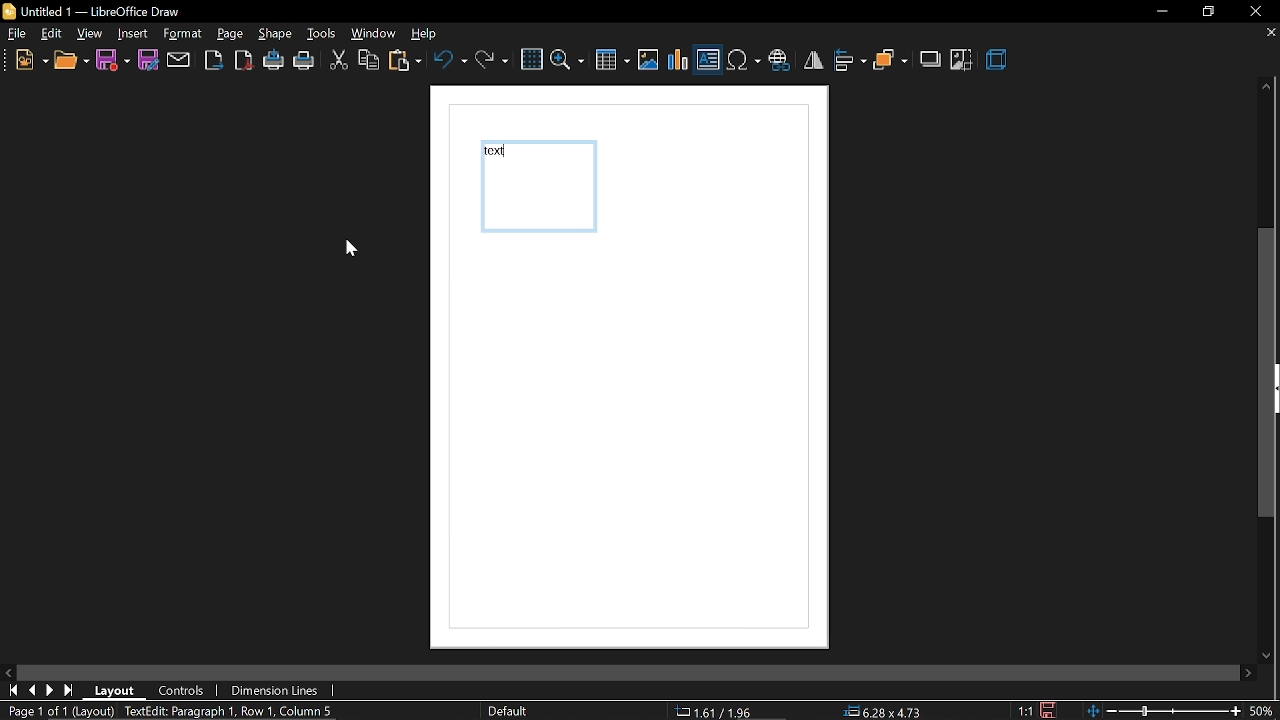 Image resolution: width=1280 pixels, height=720 pixels. What do you see at coordinates (58, 711) in the screenshot?
I see `current page` at bounding box center [58, 711].